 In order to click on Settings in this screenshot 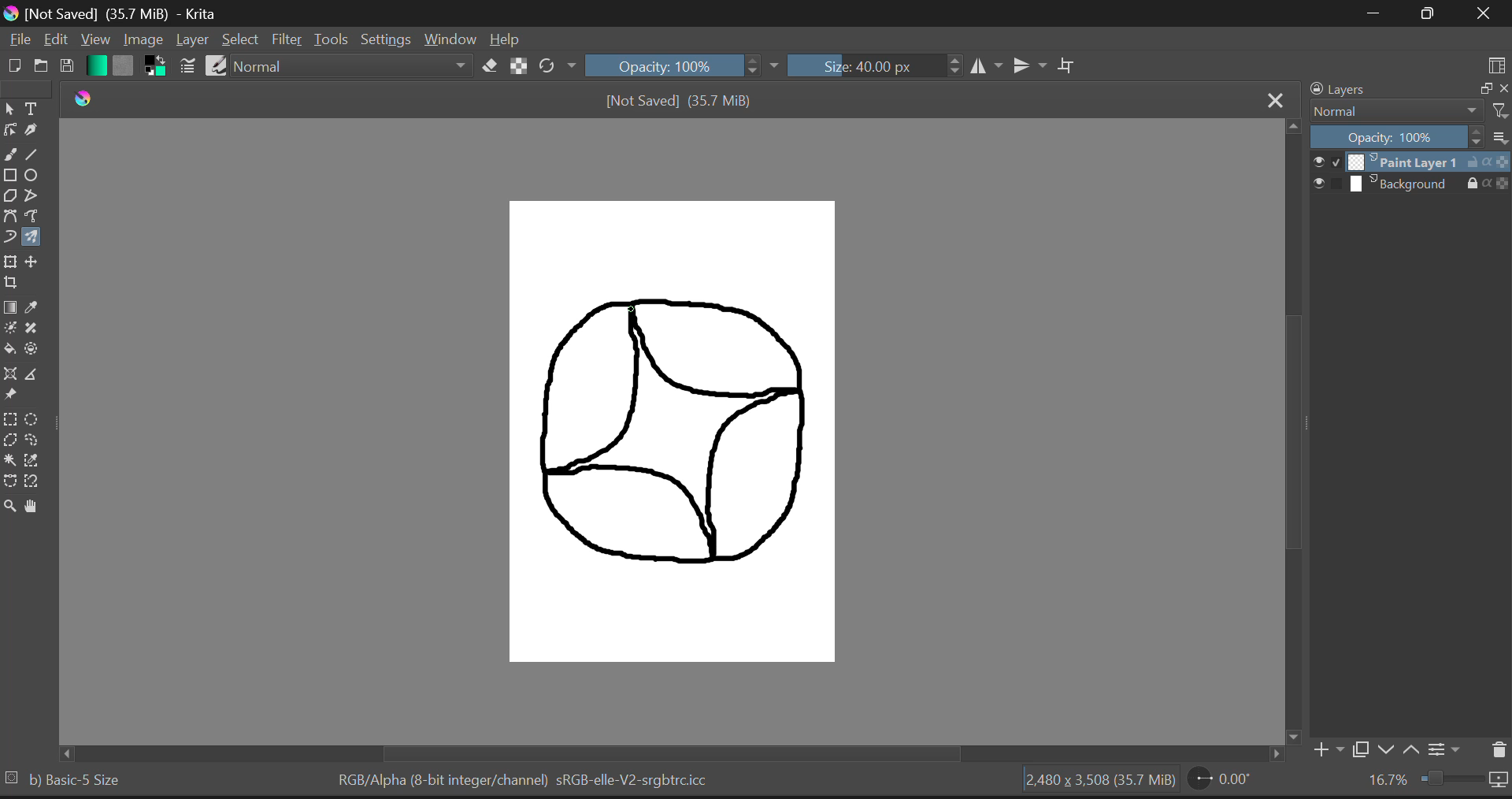, I will do `click(1447, 753)`.